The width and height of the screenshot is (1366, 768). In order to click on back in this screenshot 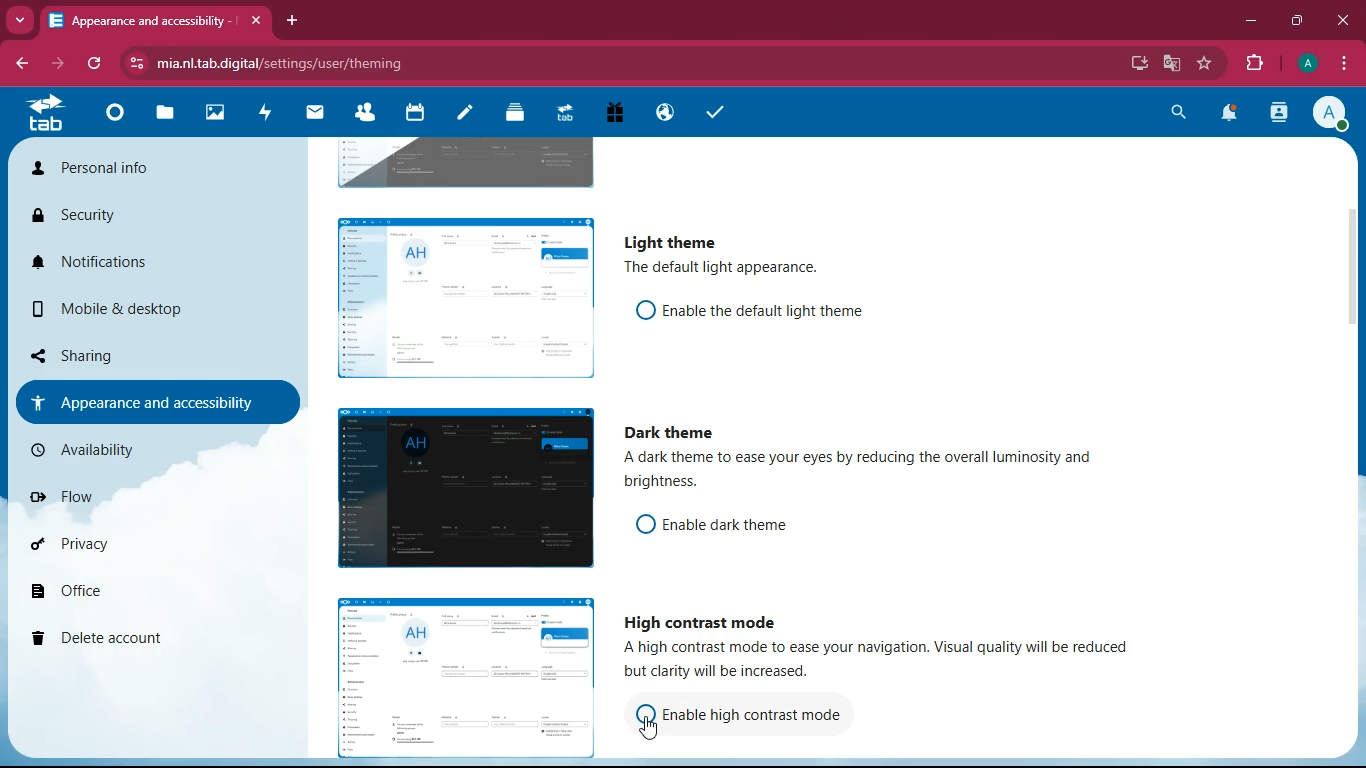, I will do `click(22, 64)`.